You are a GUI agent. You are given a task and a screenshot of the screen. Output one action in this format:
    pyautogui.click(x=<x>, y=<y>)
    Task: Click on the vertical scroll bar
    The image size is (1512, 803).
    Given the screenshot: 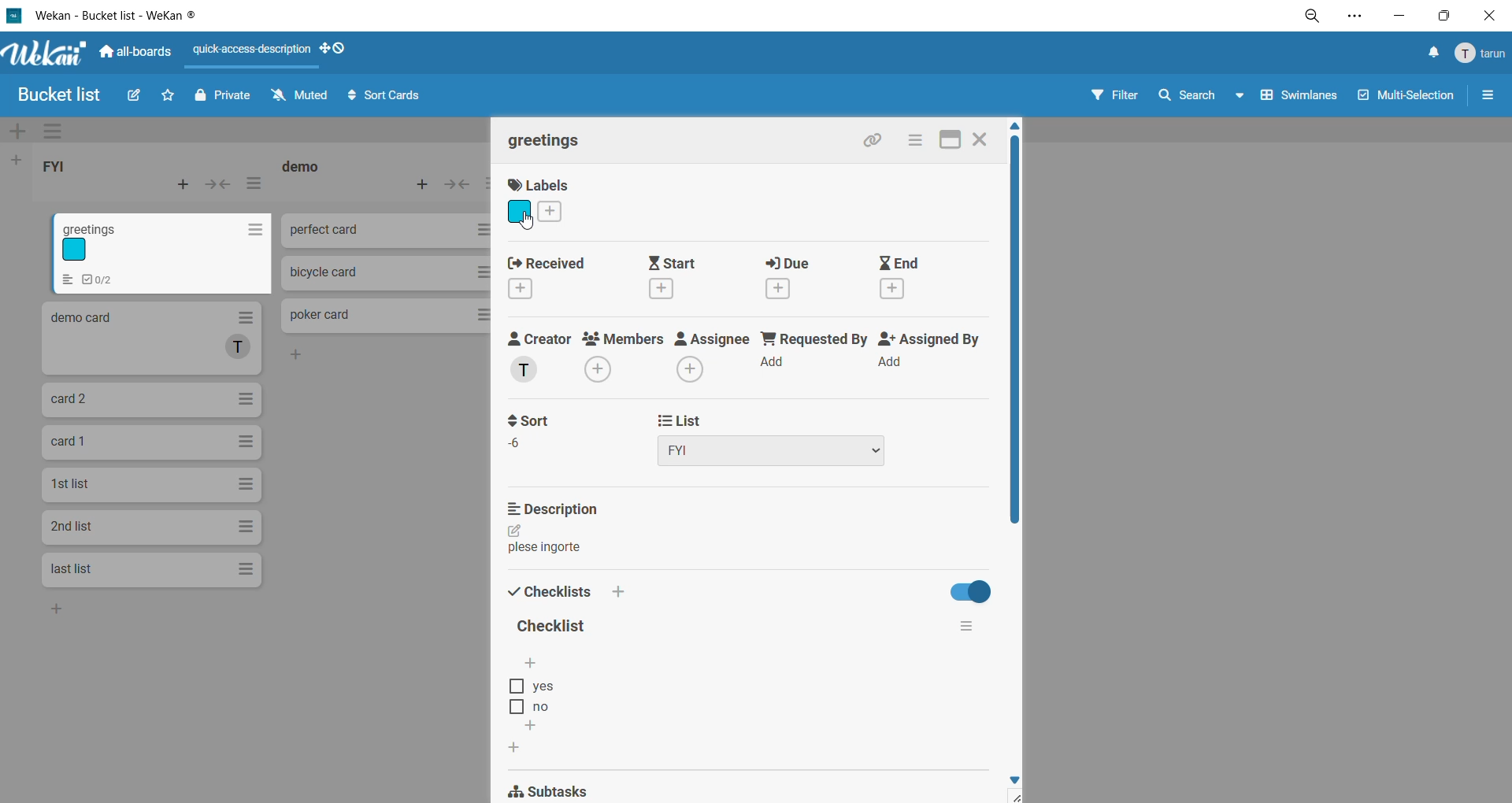 What is the action you would take?
    pyautogui.click(x=1017, y=334)
    